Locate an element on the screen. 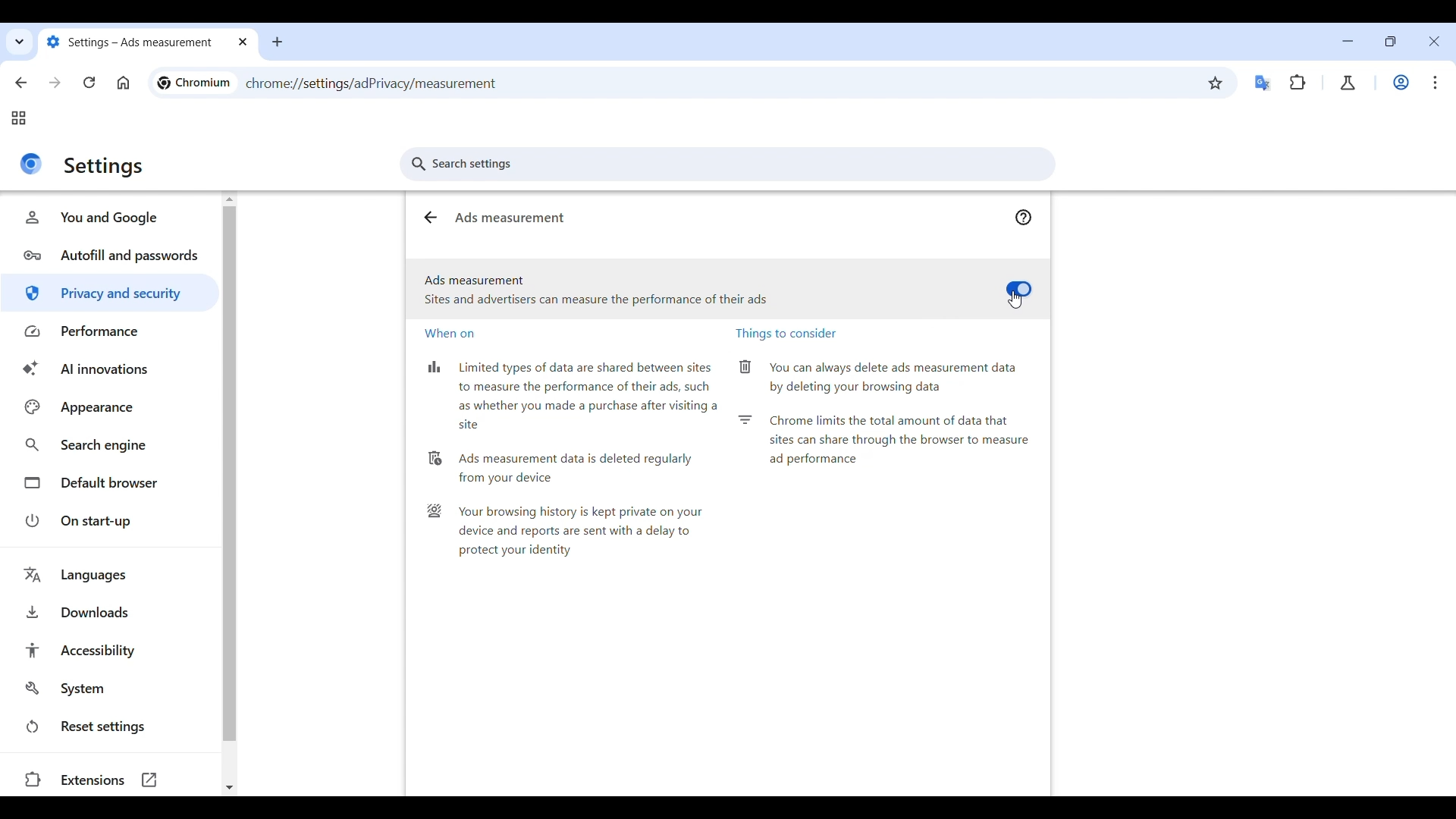  Bookmark this tab is located at coordinates (1216, 83).